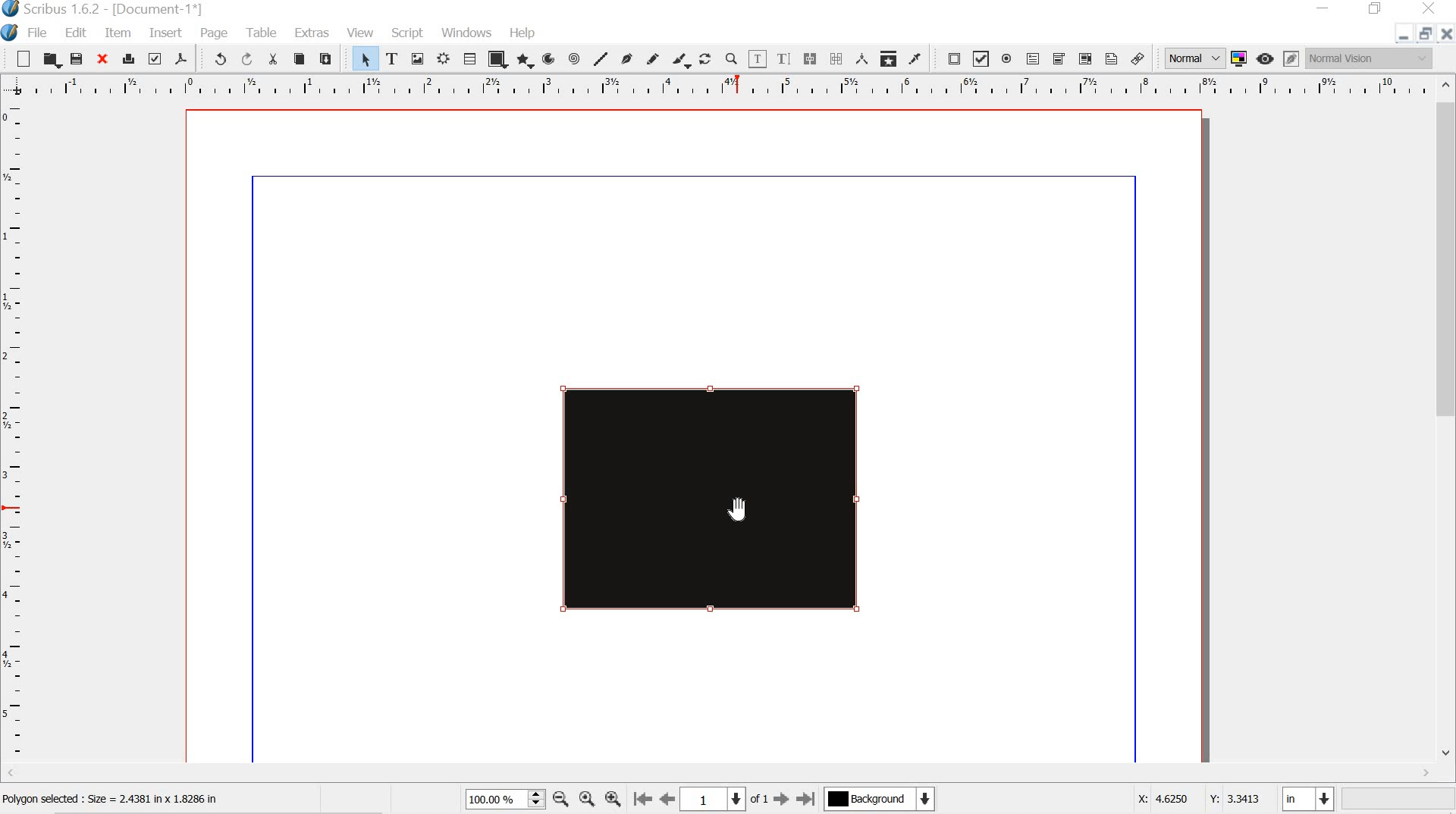 Image resolution: width=1456 pixels, height=814 pixels. I want to click on close doc, so click(1447, 33).